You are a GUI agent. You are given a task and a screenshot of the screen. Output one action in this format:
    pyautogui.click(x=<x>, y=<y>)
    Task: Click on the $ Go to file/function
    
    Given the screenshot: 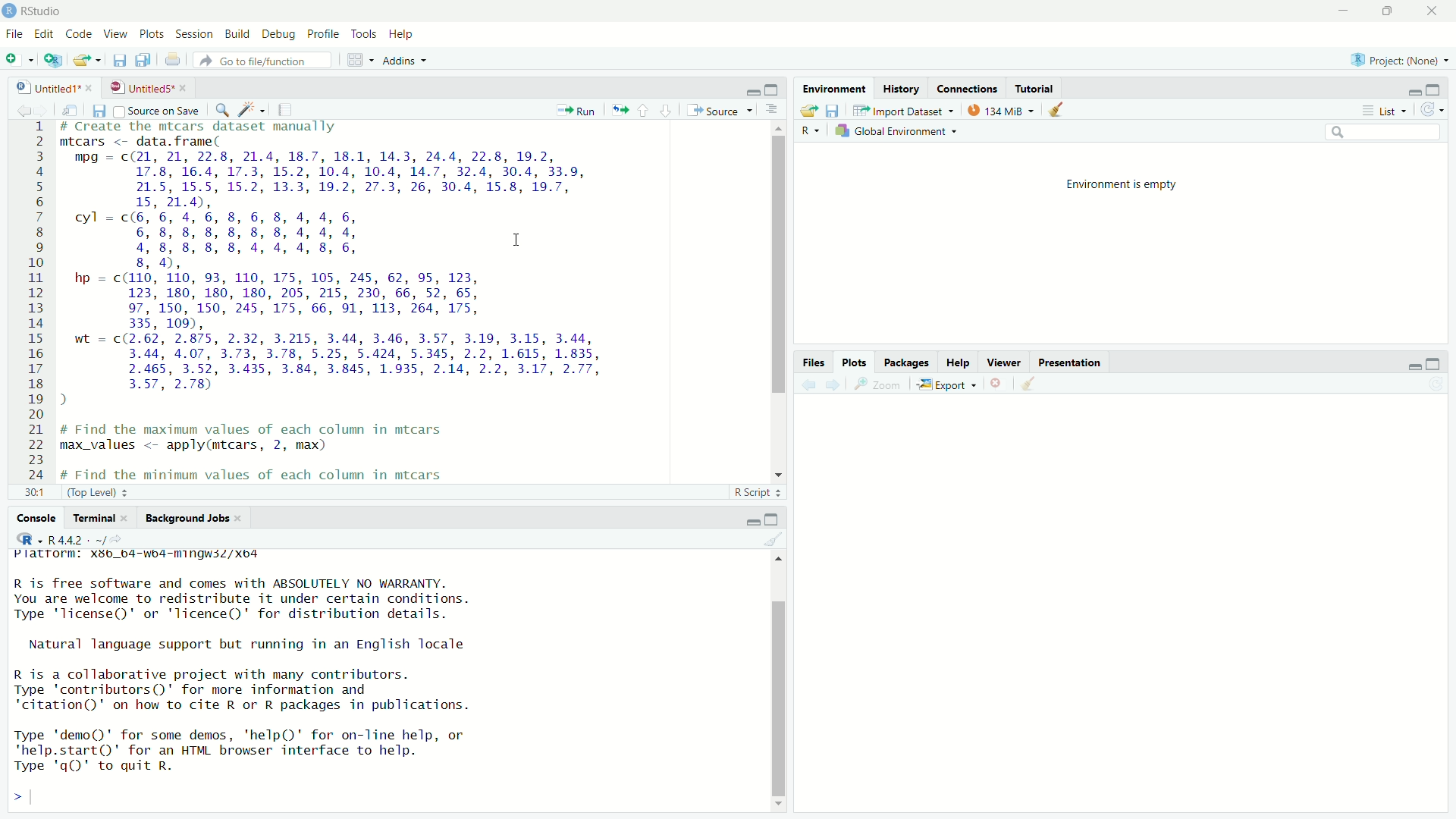 What is the action you would take?
    pyautogui.click(x=257, y=61)
    